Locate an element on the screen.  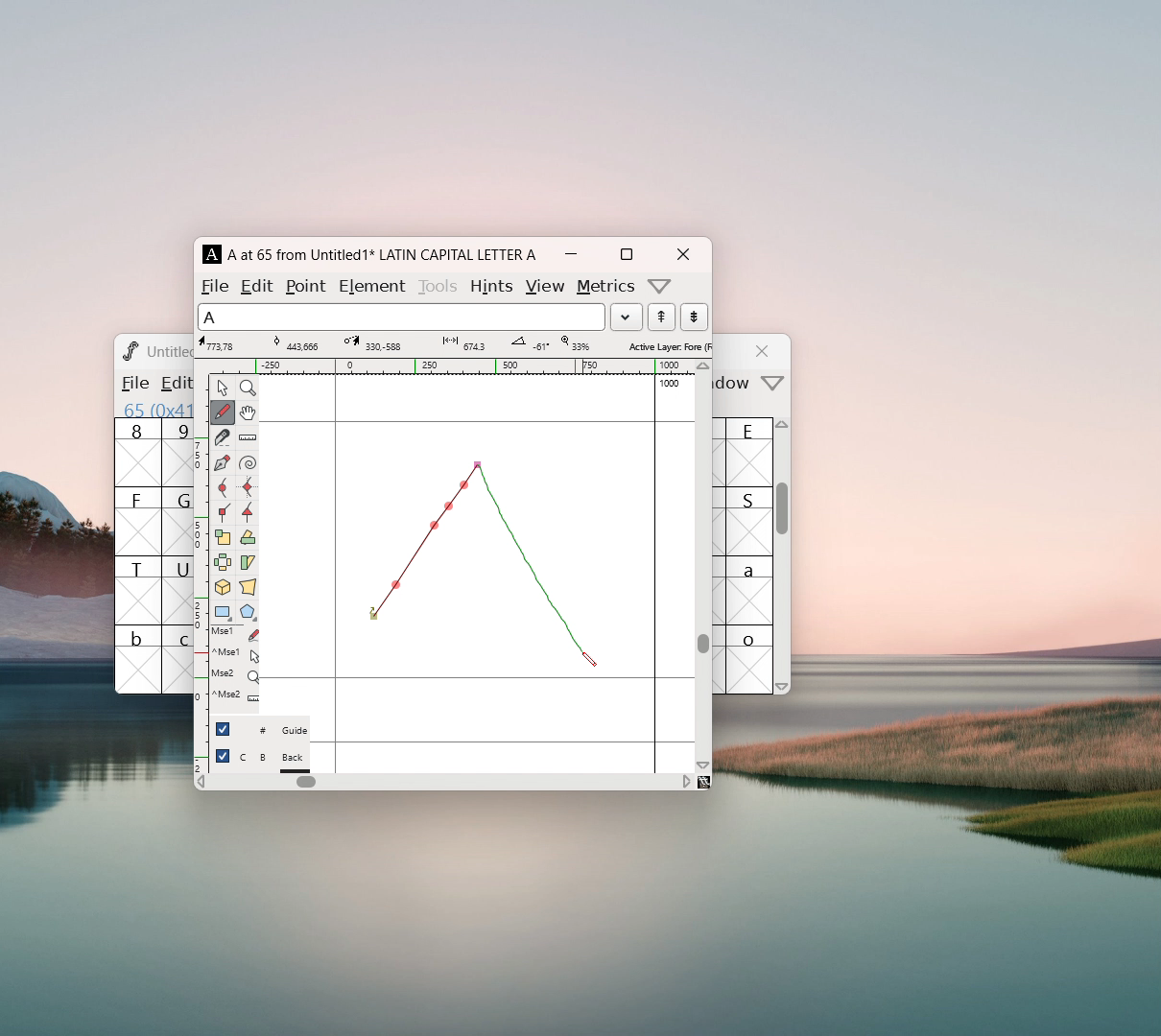
polygon or star is located at coordinates (249, 614).